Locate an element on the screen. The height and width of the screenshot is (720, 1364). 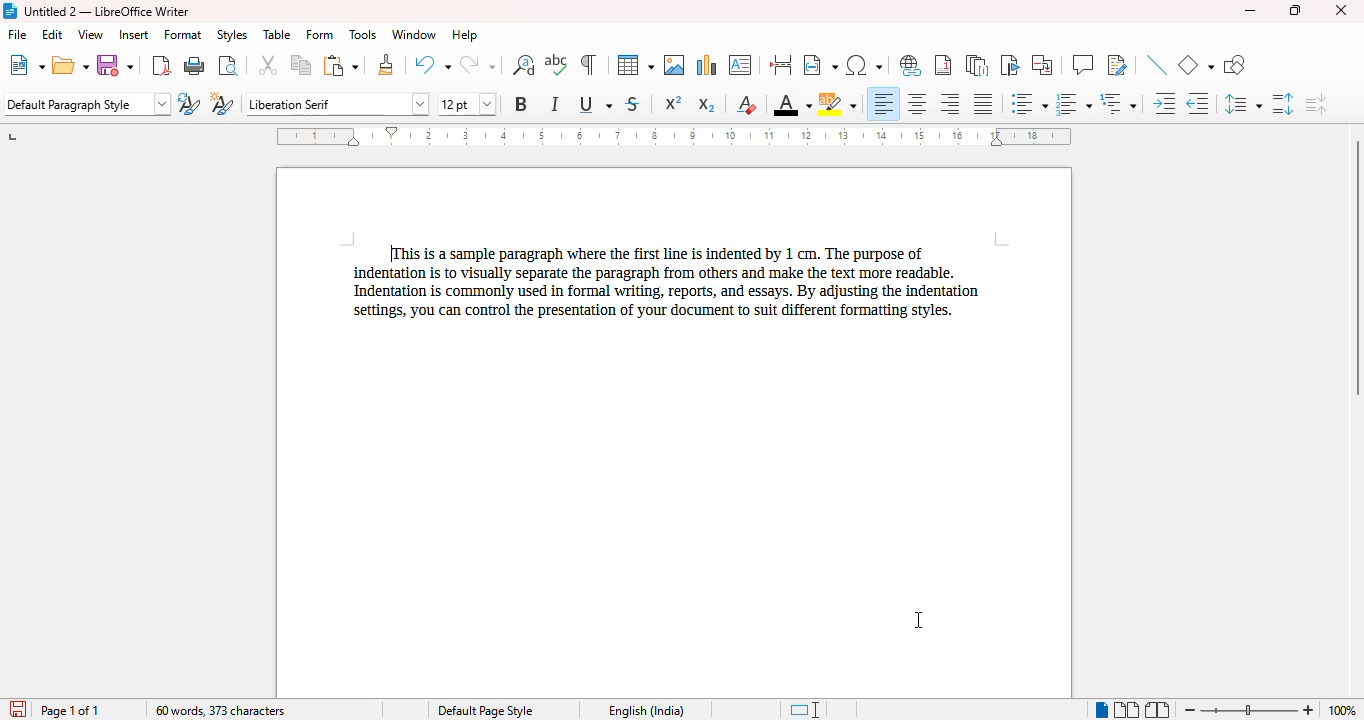
print is located at coordinates (195, 64).